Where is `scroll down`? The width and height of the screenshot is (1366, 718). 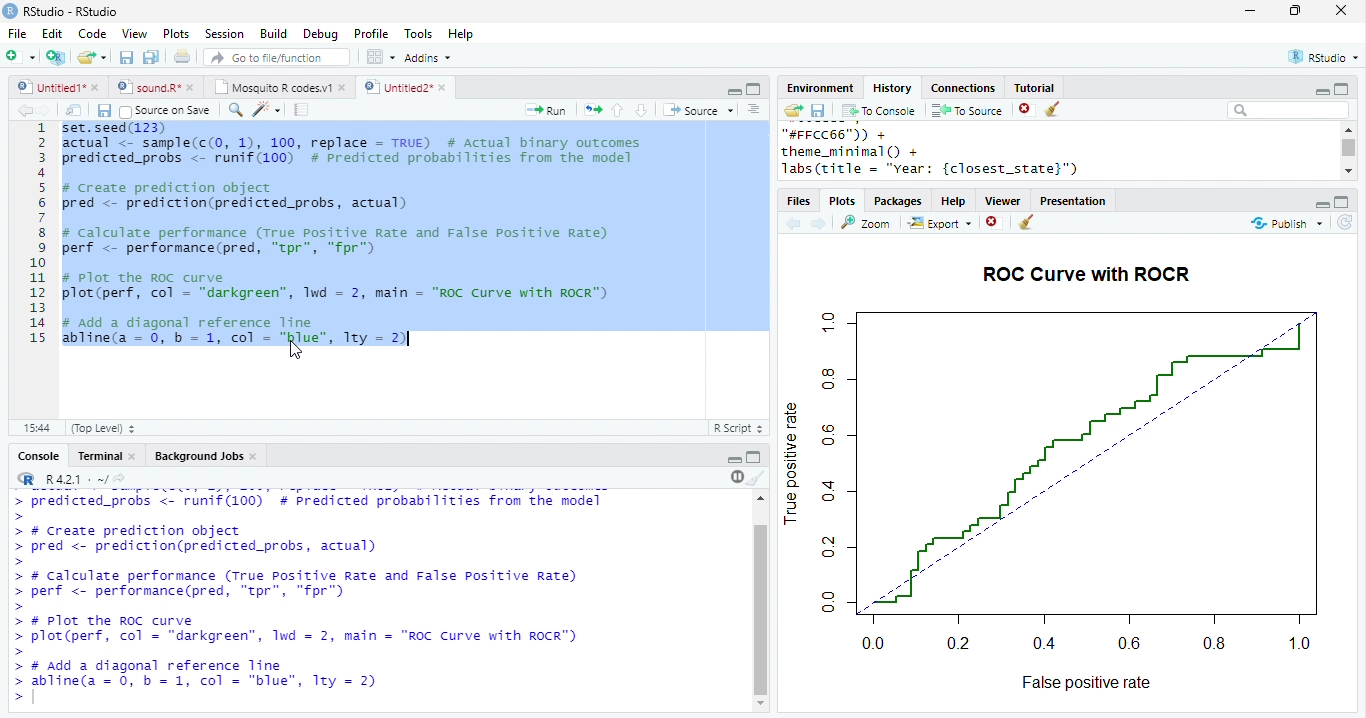
scroll down is located at coordinates (1348, 170).